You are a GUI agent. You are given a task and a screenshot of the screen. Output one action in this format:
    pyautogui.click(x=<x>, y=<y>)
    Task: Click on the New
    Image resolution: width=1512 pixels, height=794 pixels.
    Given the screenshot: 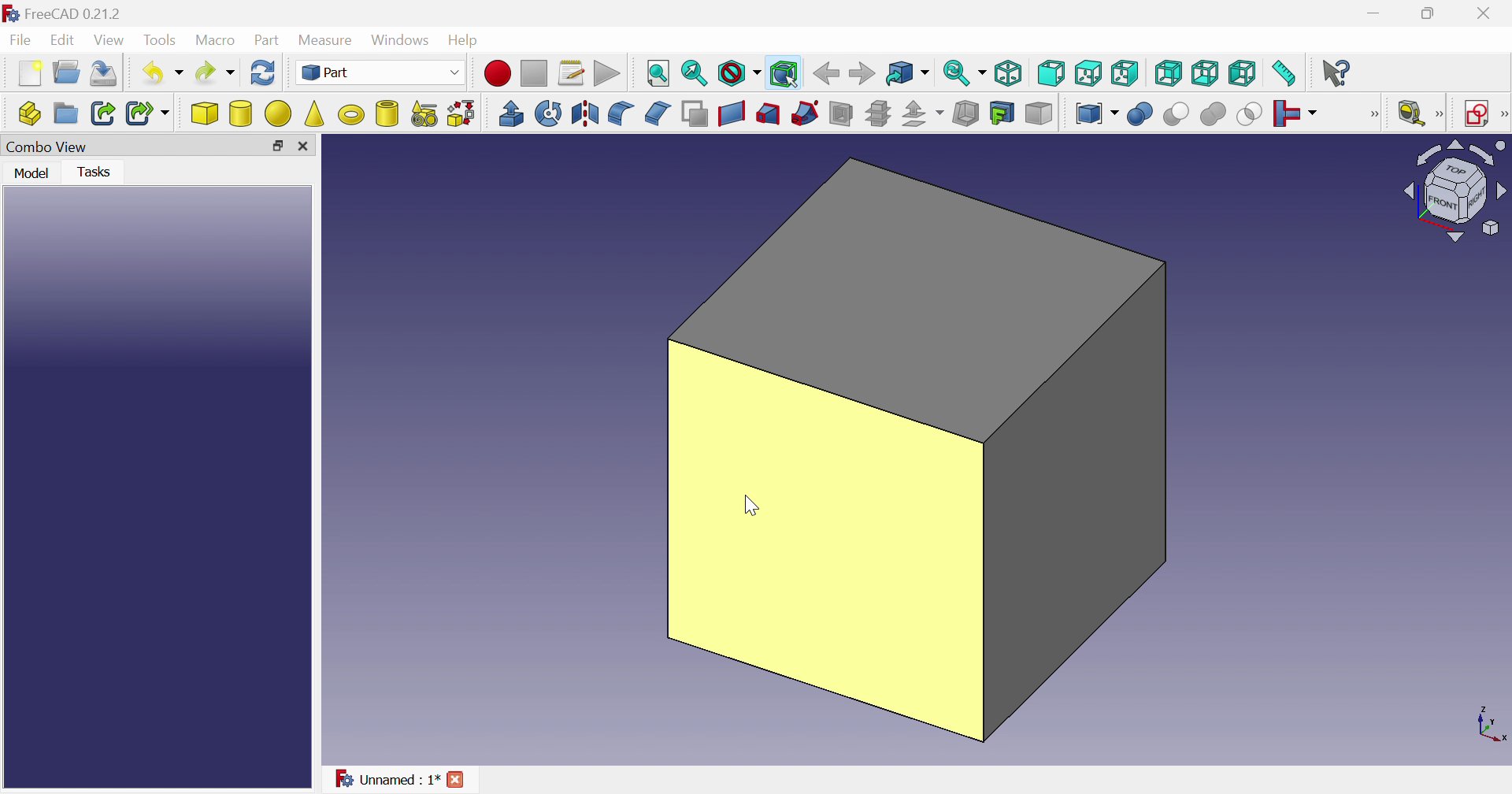 What is the action you would take?
    pyautogui.click(x=32, y=74)
    